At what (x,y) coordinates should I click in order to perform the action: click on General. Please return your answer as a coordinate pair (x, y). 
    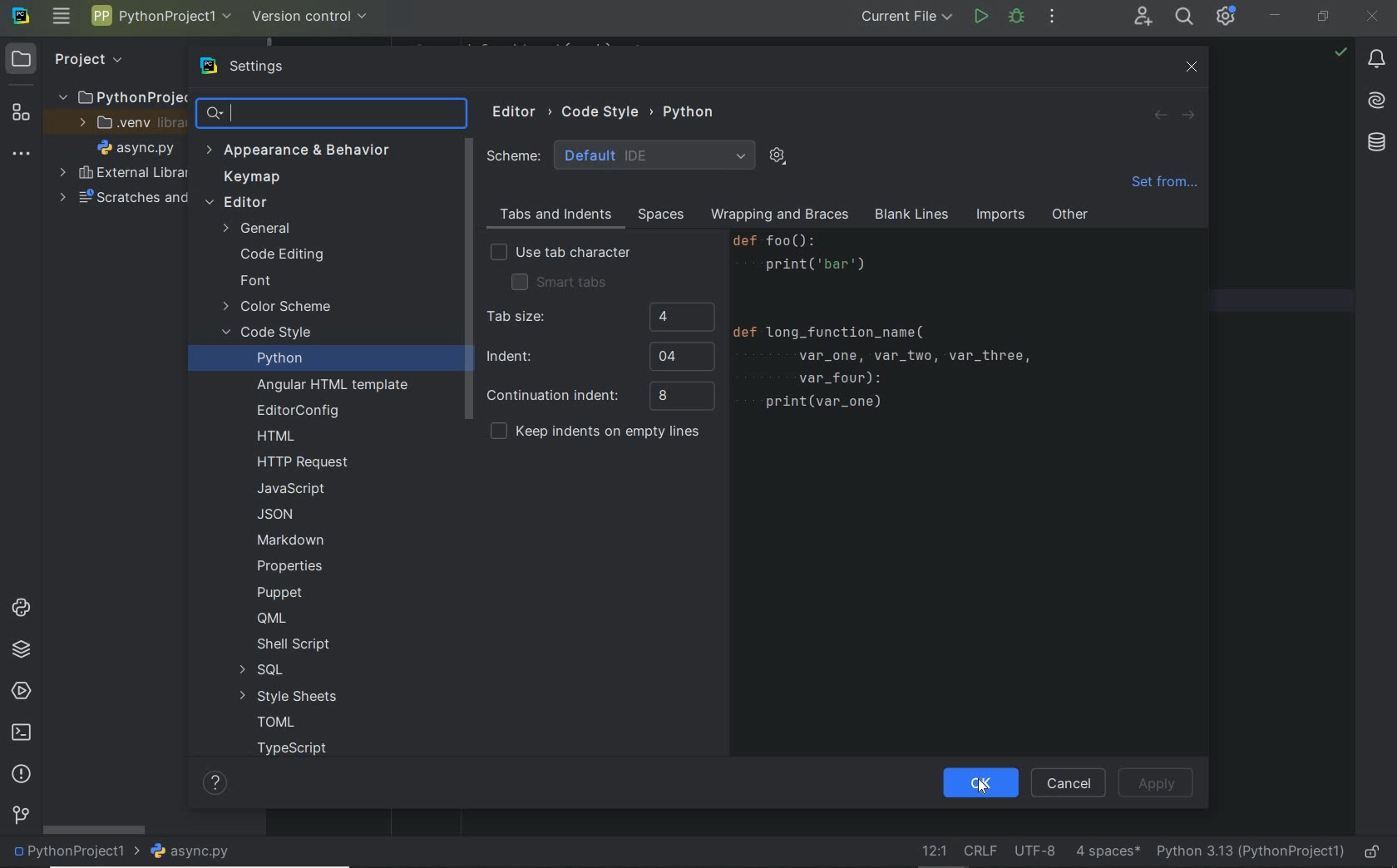
    Looking at the image, I should click on (260, 230).